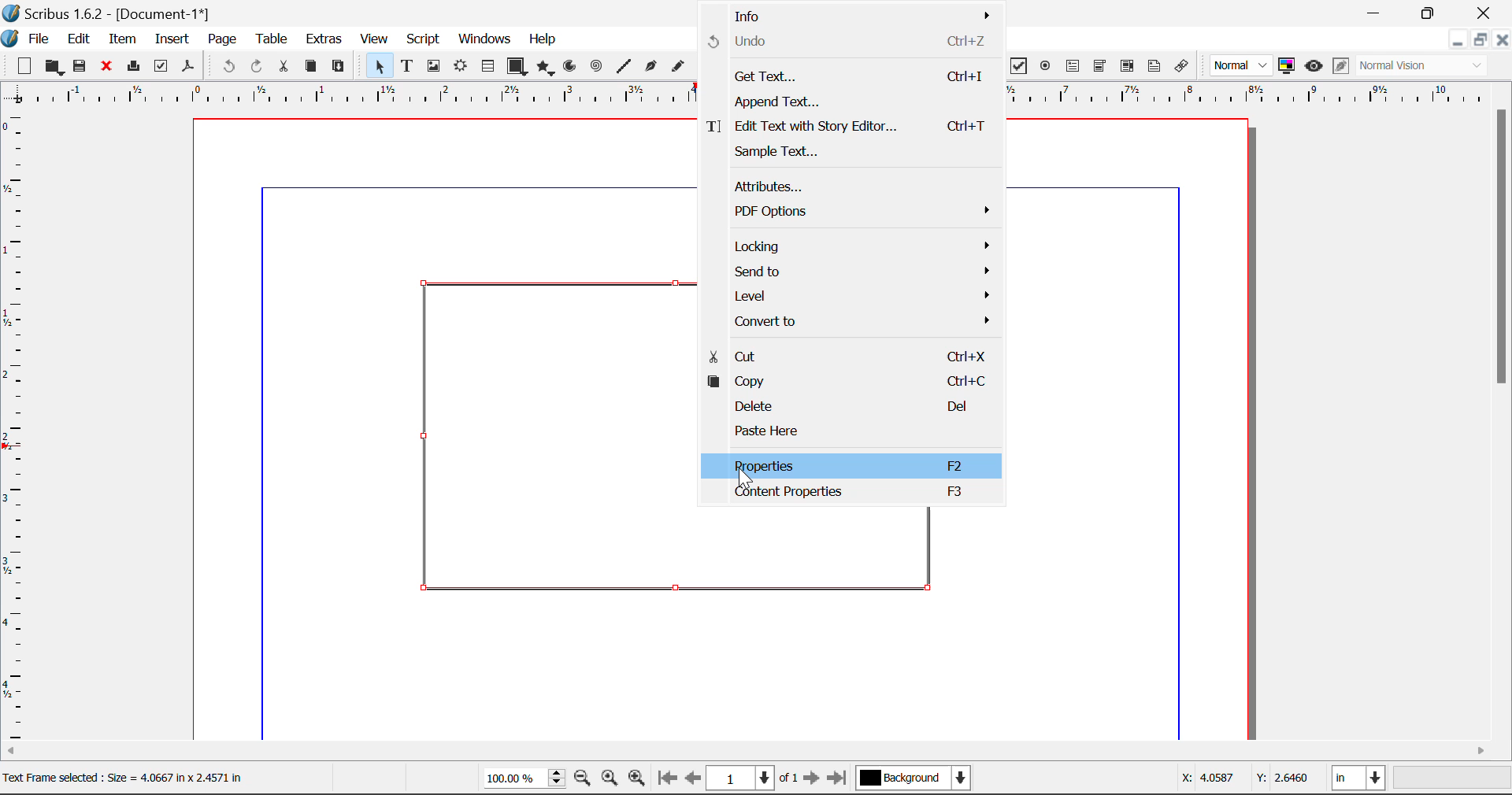 This screenshot has height=795, width=1512. What do you see at coordinates (1480, 39) in the screenshot?
I see `Minimize` at bounding box center [1480, 39].